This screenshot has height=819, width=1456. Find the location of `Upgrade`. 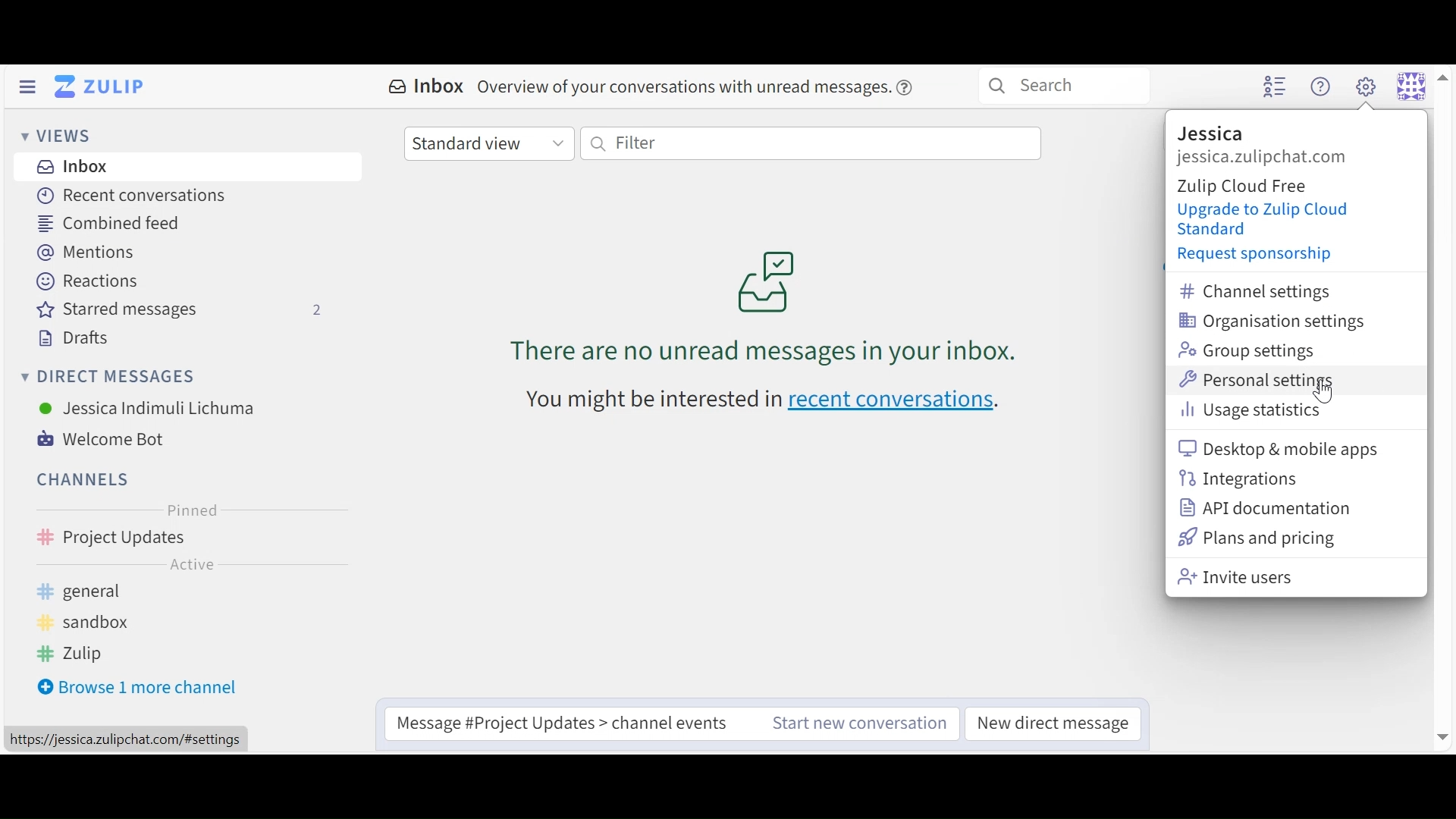

Upgrade is located at coordinates (1267, 212).